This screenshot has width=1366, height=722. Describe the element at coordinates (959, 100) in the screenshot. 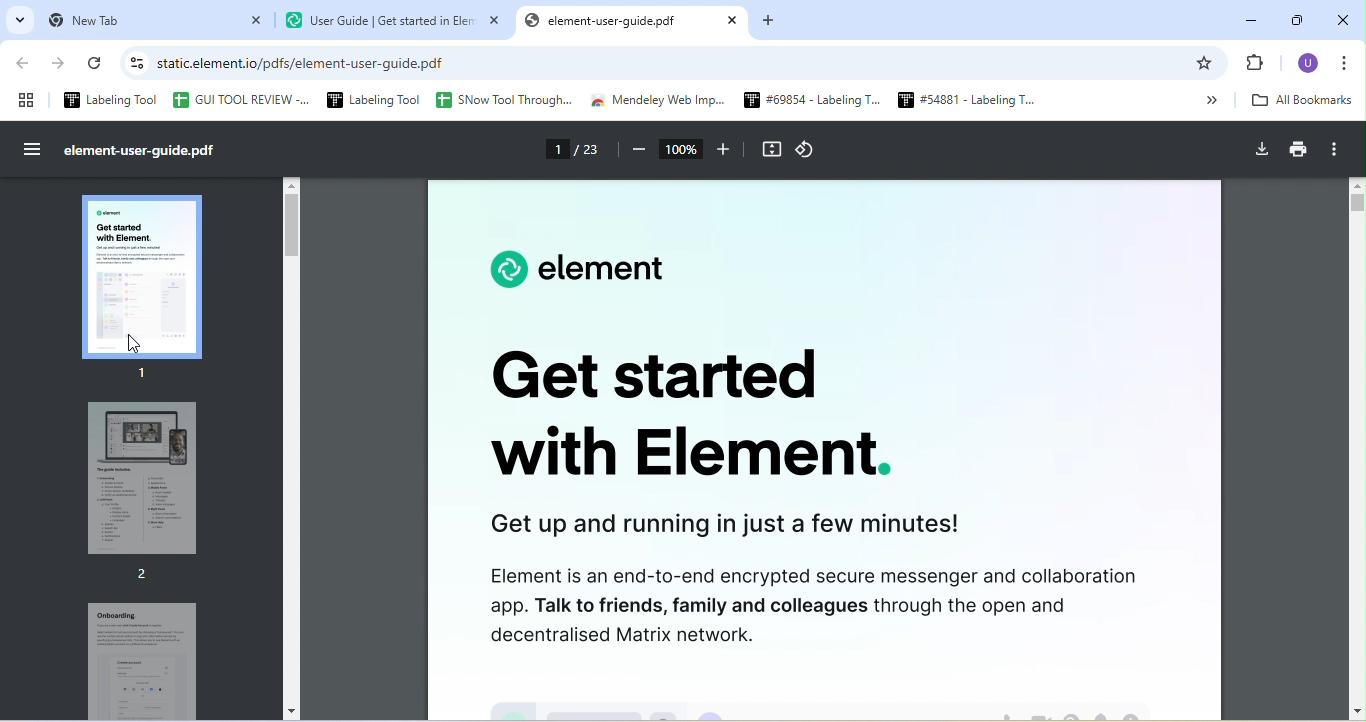

I see `#54881 - Labeling T...` at that location.